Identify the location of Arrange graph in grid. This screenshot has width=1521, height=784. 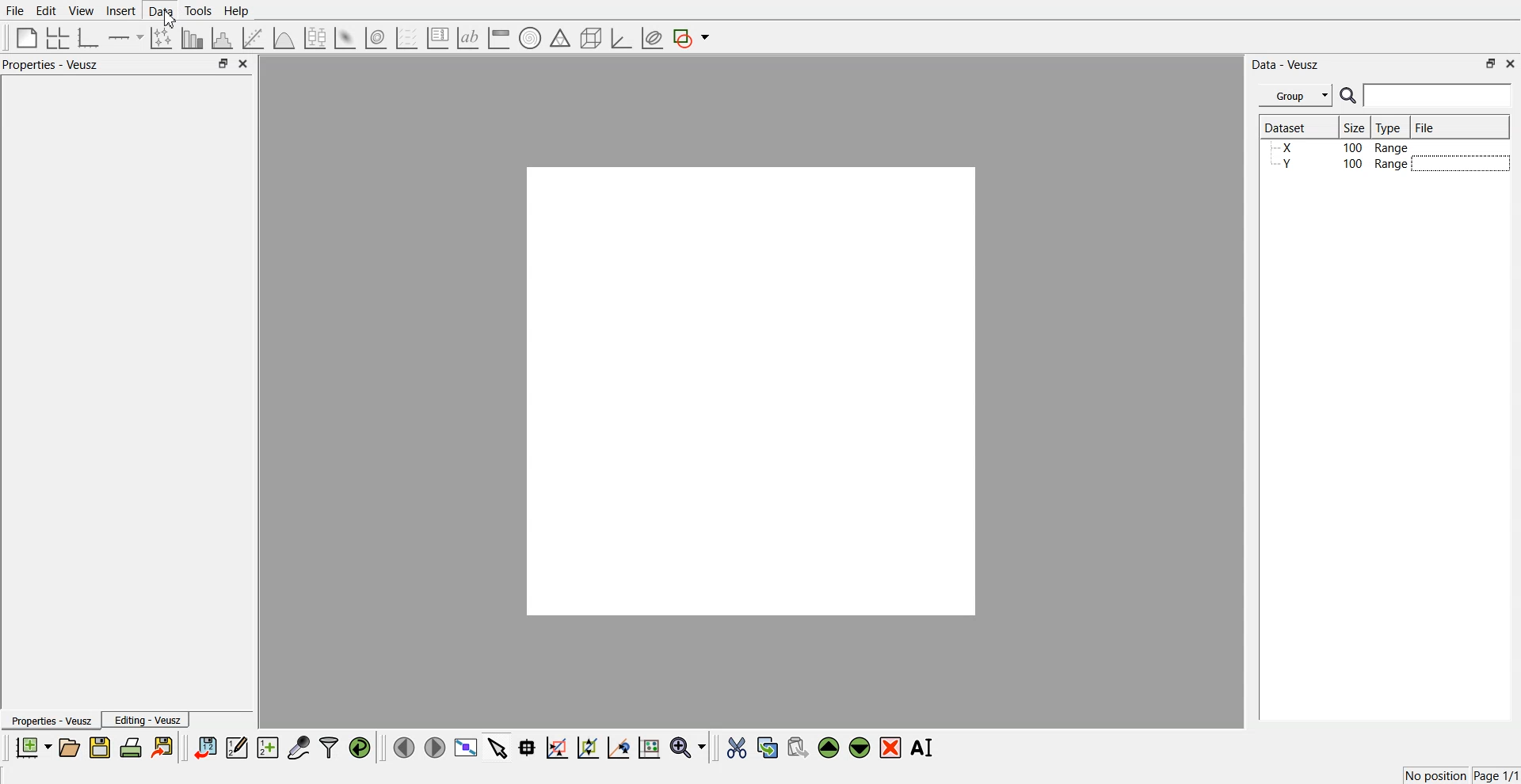
(58, 39).